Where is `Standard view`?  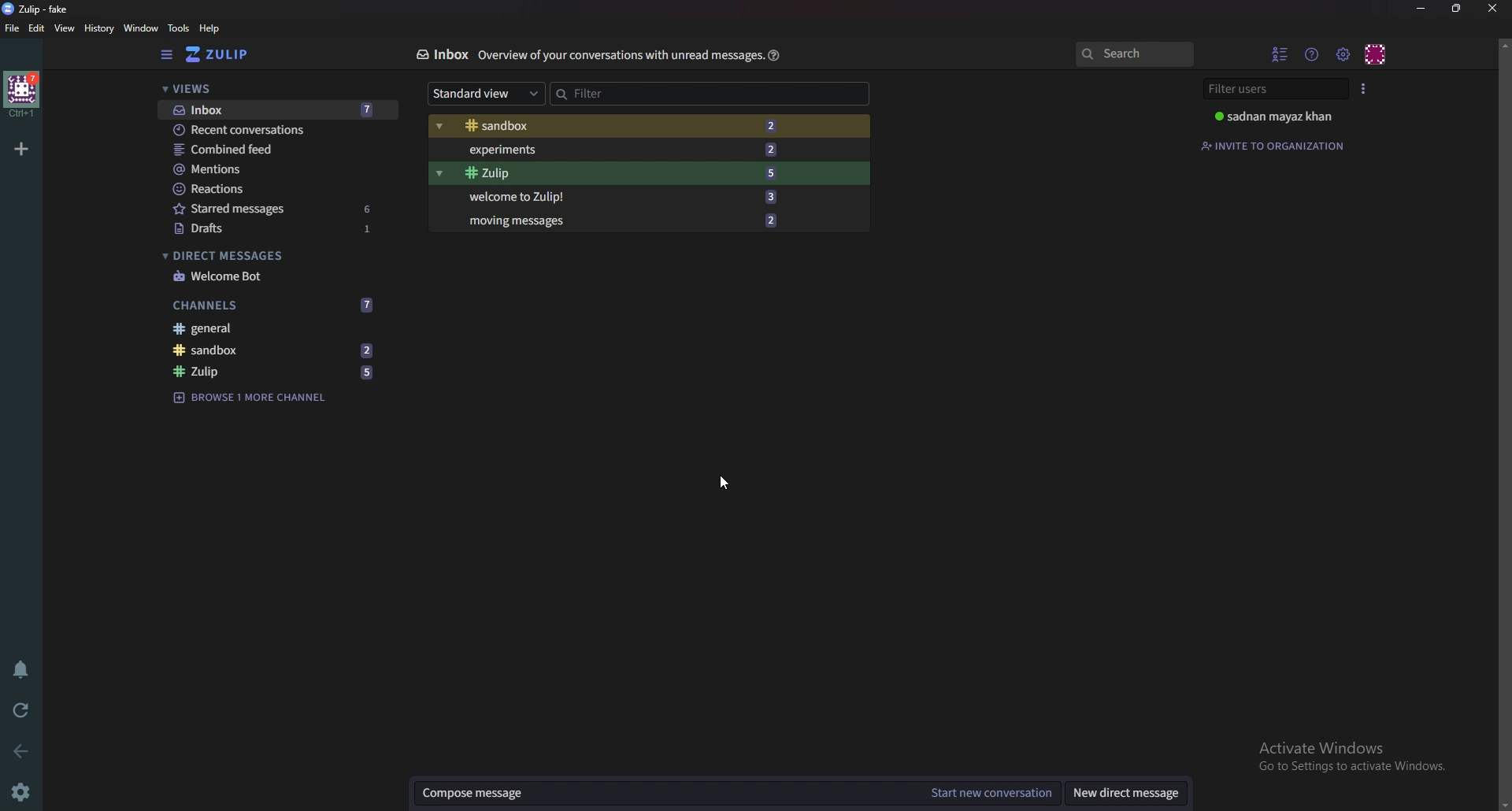
Standard view is located at coordinates (481, 93).